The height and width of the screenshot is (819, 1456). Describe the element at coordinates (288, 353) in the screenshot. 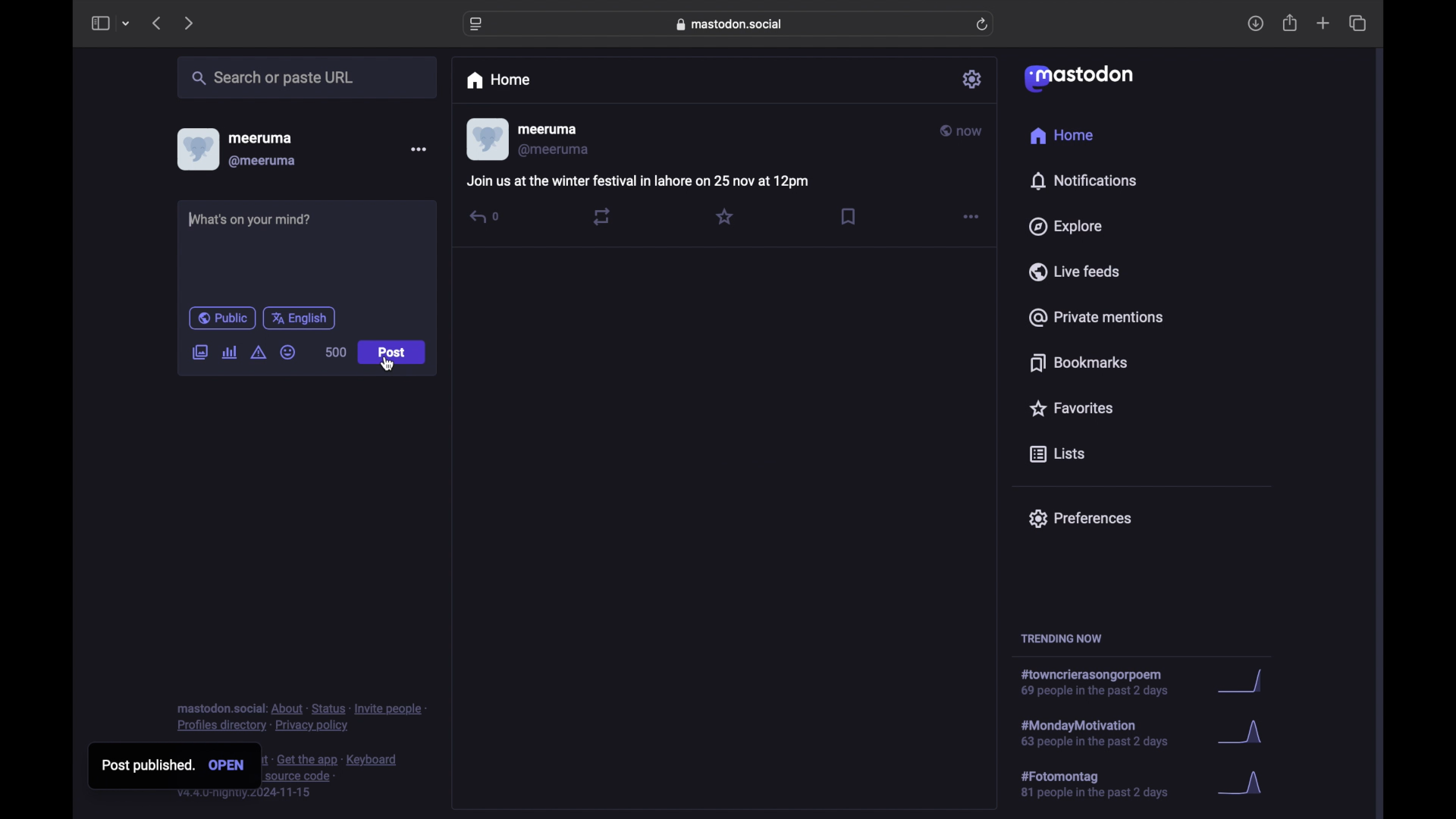

I see `emoji` at that location.